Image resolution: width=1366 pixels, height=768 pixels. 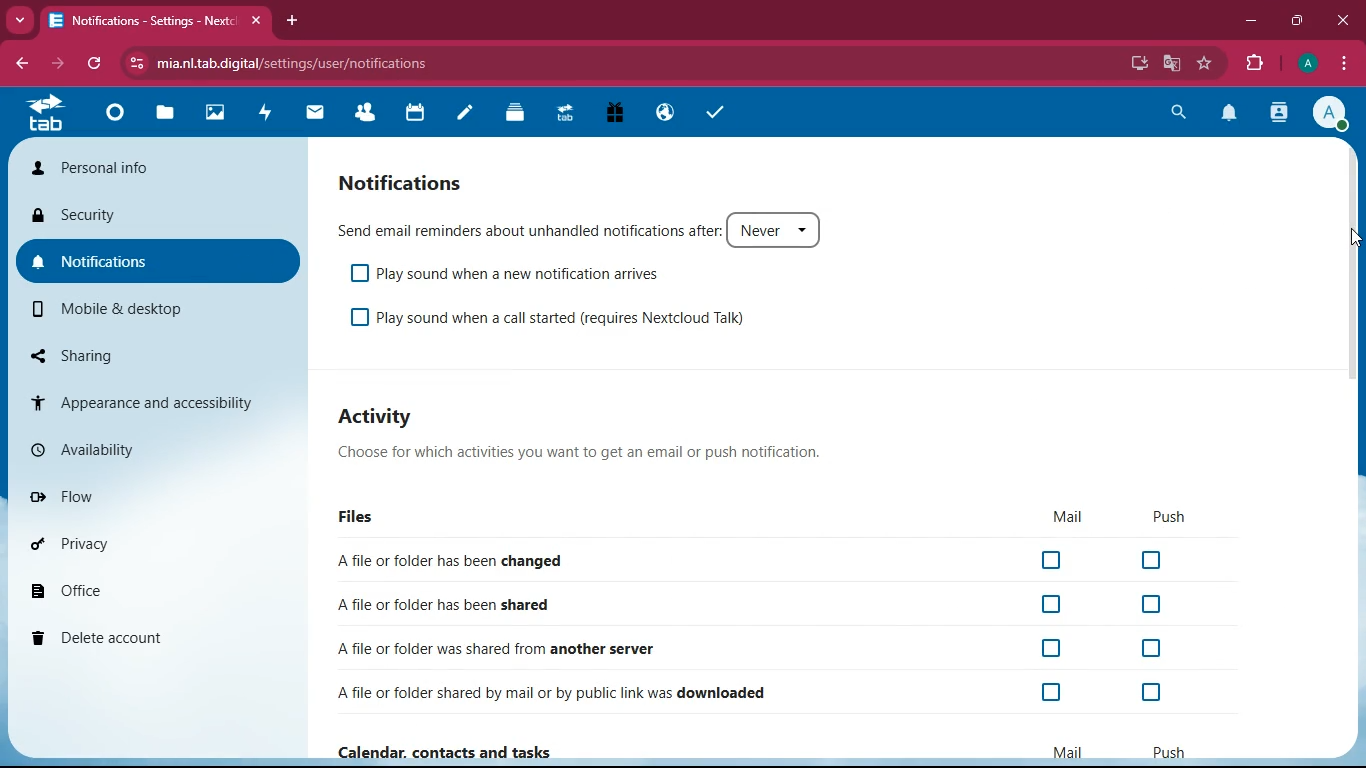 What do you see at coordinates (601, 453) in the screenshot?
I see `Choose for which activities you want to get an email or push notification.` at bounding box center [601, 453].